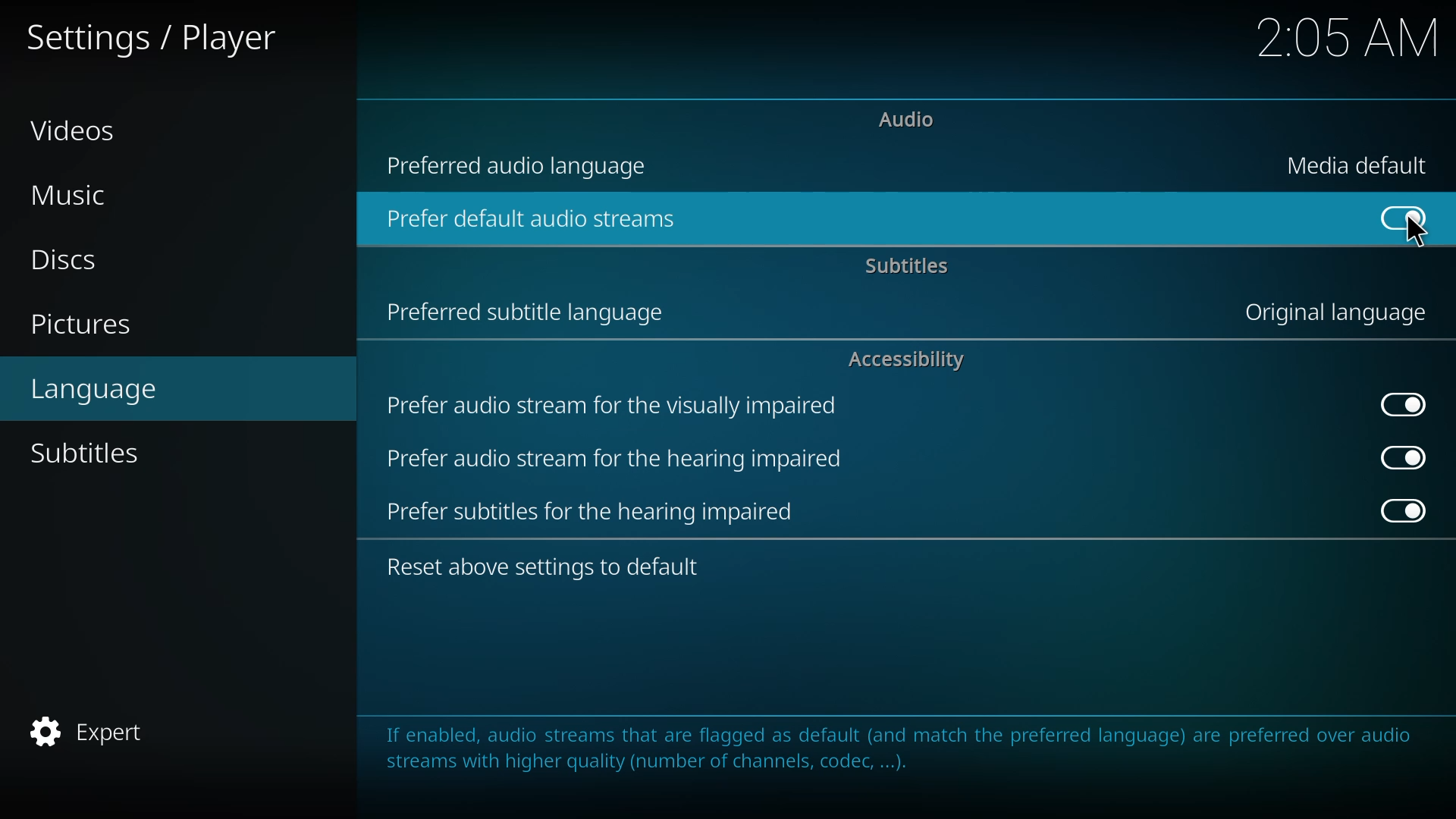 Image resolution: width=1456 pixels, height=819 pixels. I want to click on prefer audio stream for visually impaired, so click(612, 406).